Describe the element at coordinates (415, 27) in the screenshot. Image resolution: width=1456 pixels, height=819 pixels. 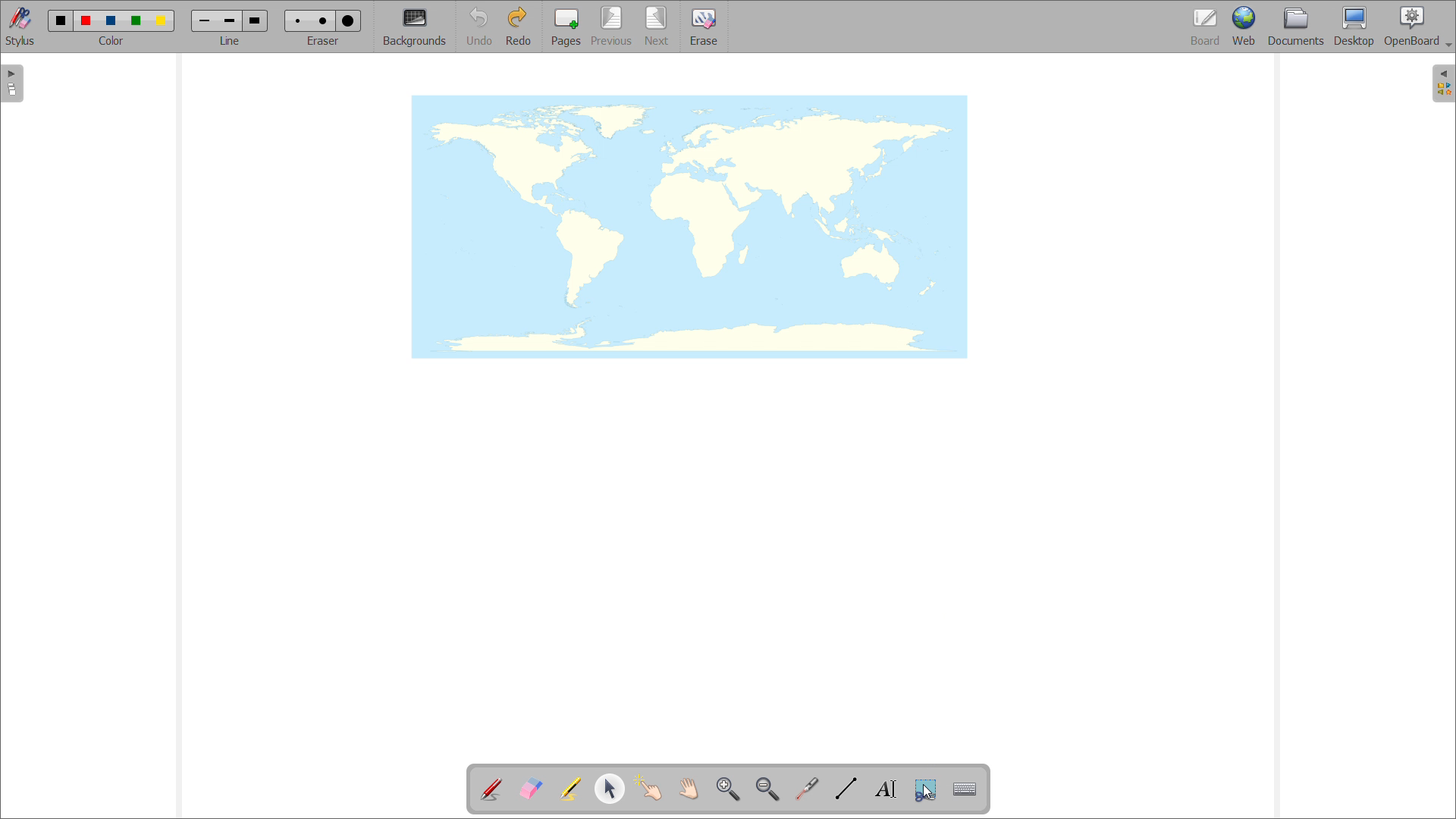
I see `backgrounds` at that location.